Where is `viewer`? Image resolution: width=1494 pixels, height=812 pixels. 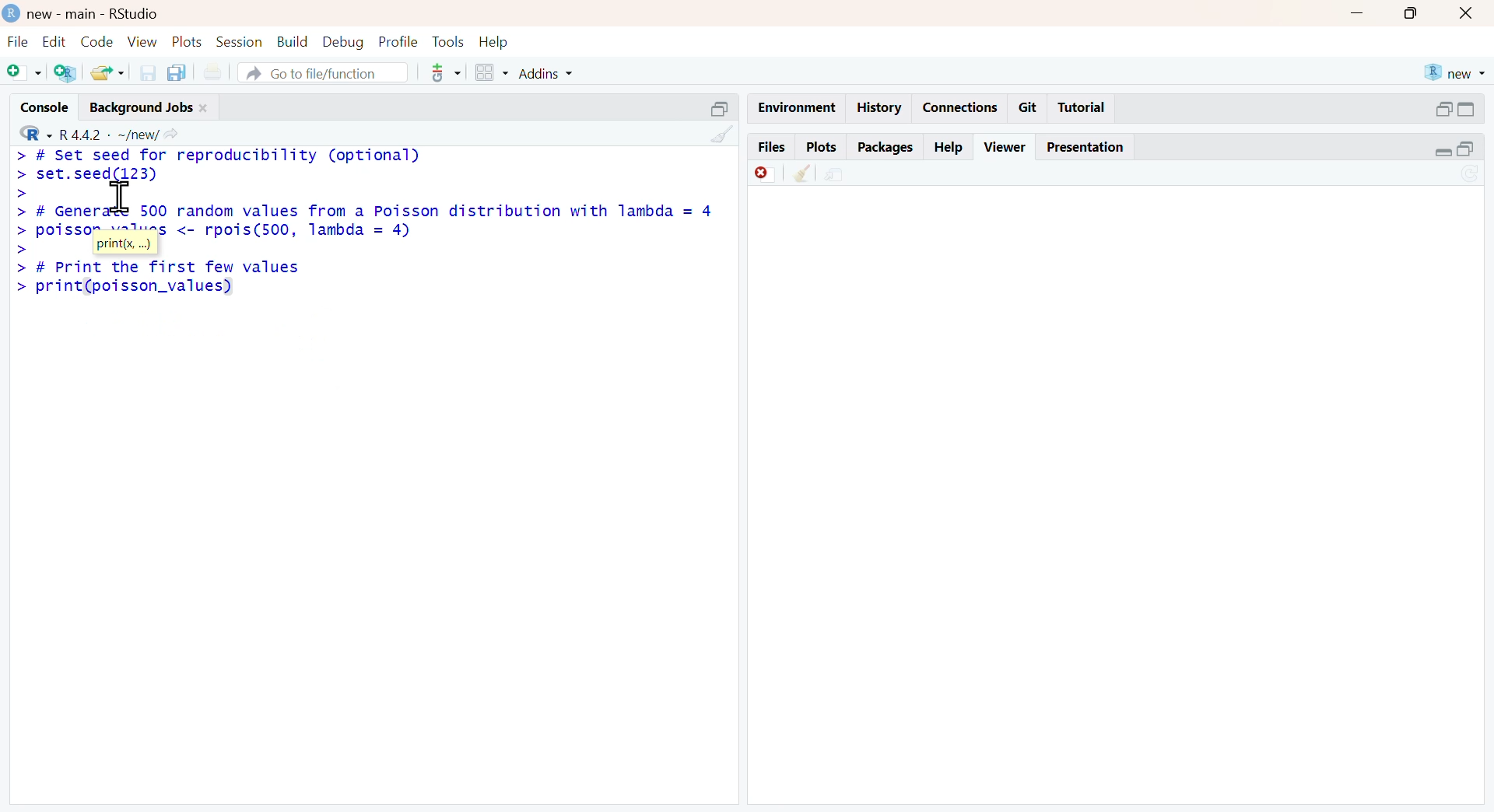
viewer is located at coordinates (1007, 147).